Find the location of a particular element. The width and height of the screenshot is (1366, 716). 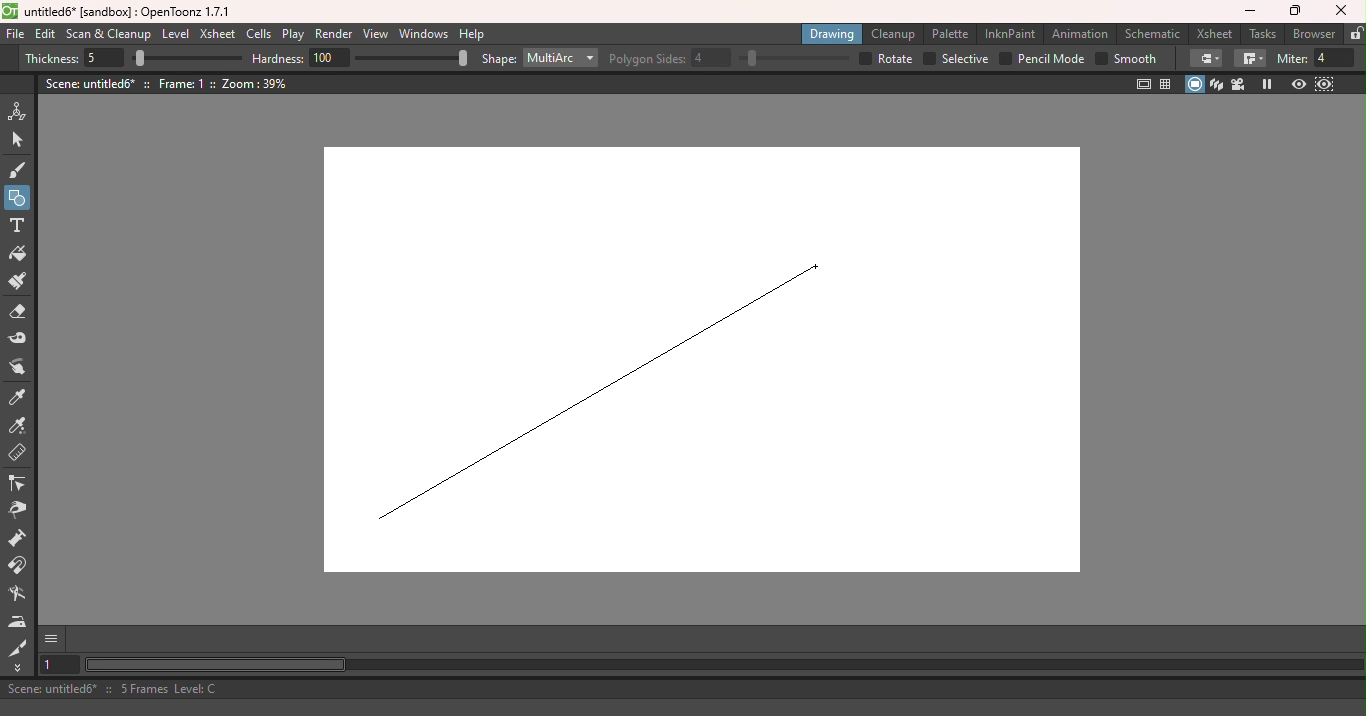

Lock rooms tab is located at coordinates (1355, 33).